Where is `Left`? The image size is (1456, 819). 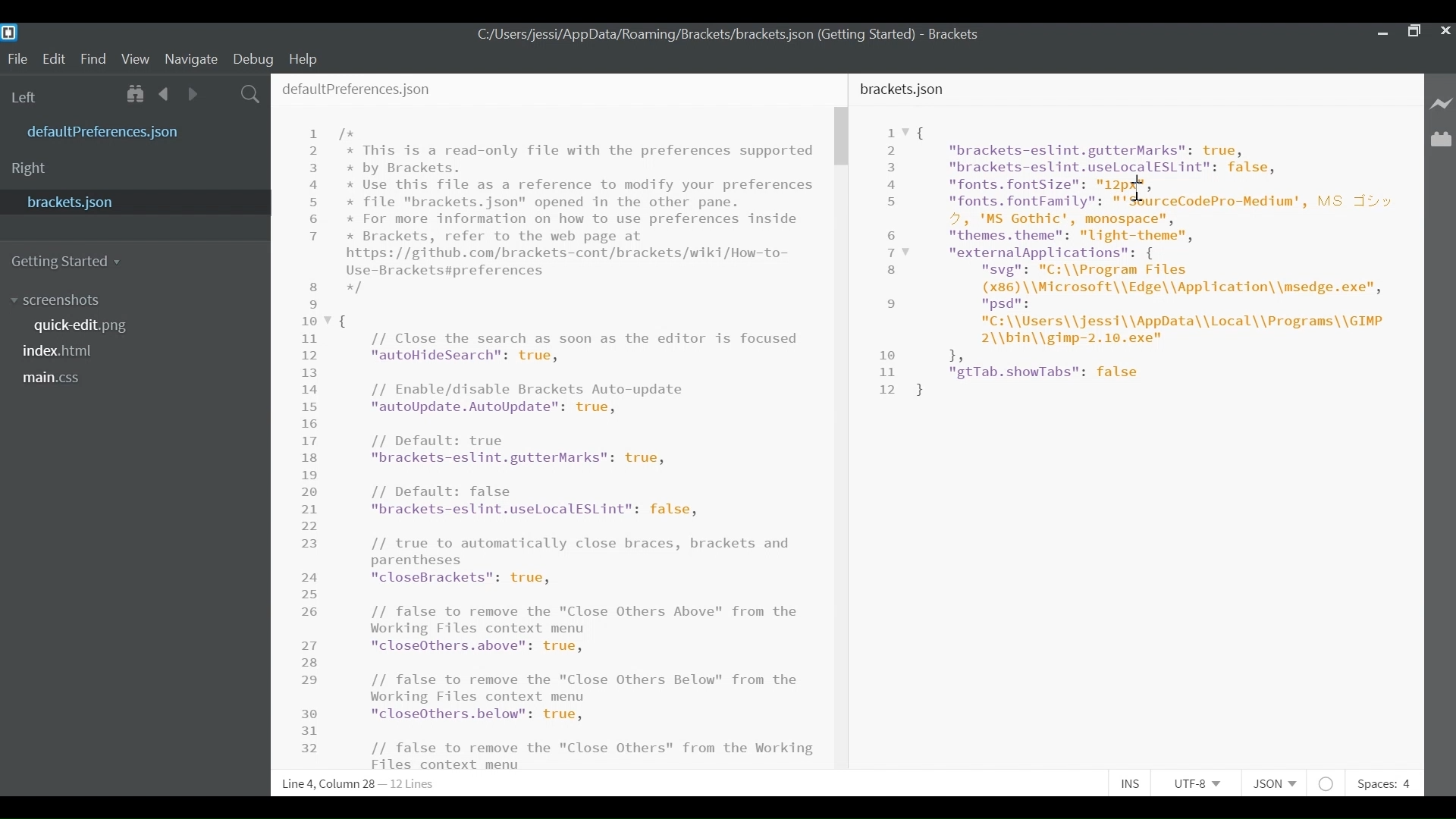
Left is located at coordinates (29, 96).